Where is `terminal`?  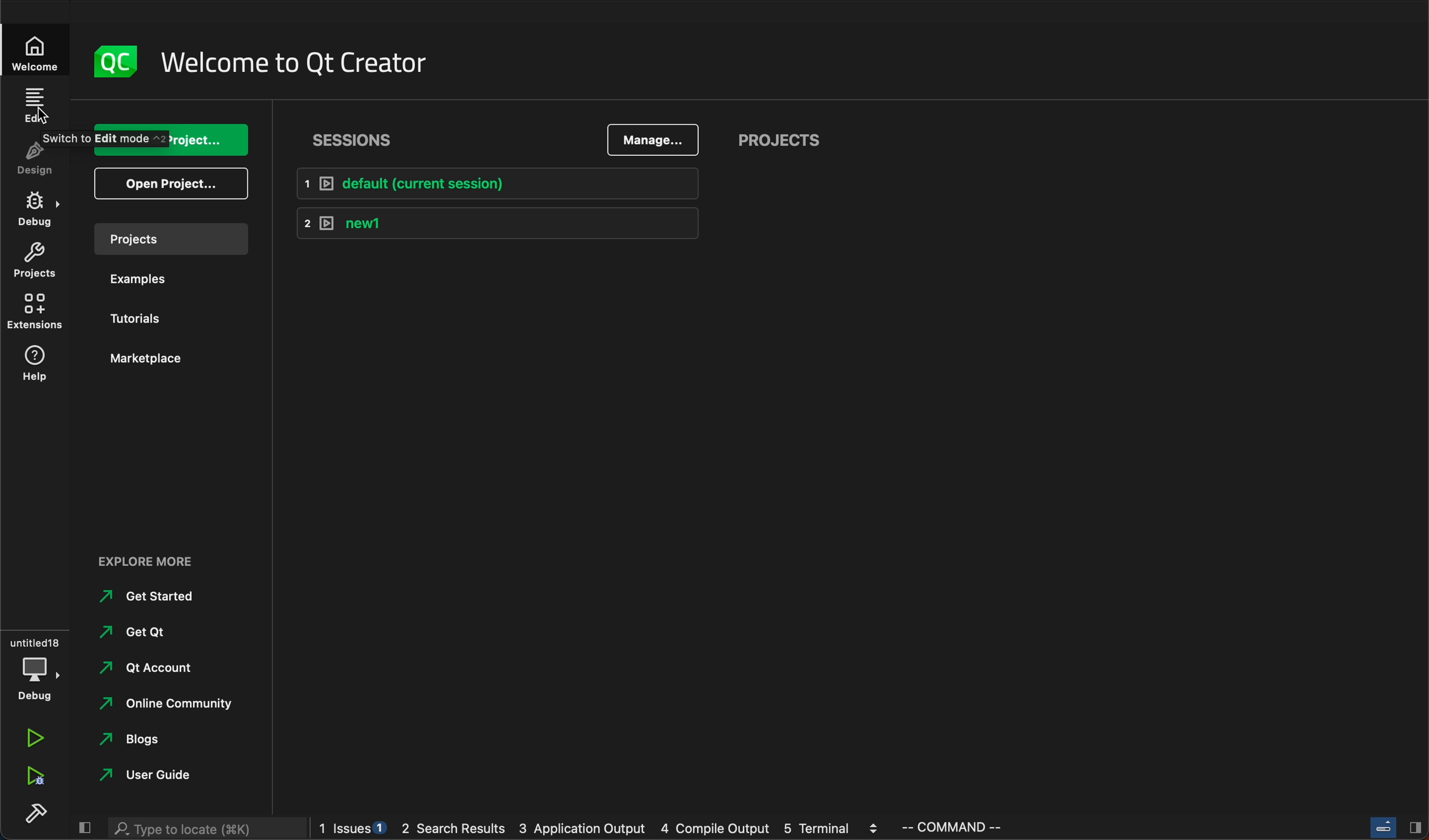 terminal is located at coordinates (832, 829).